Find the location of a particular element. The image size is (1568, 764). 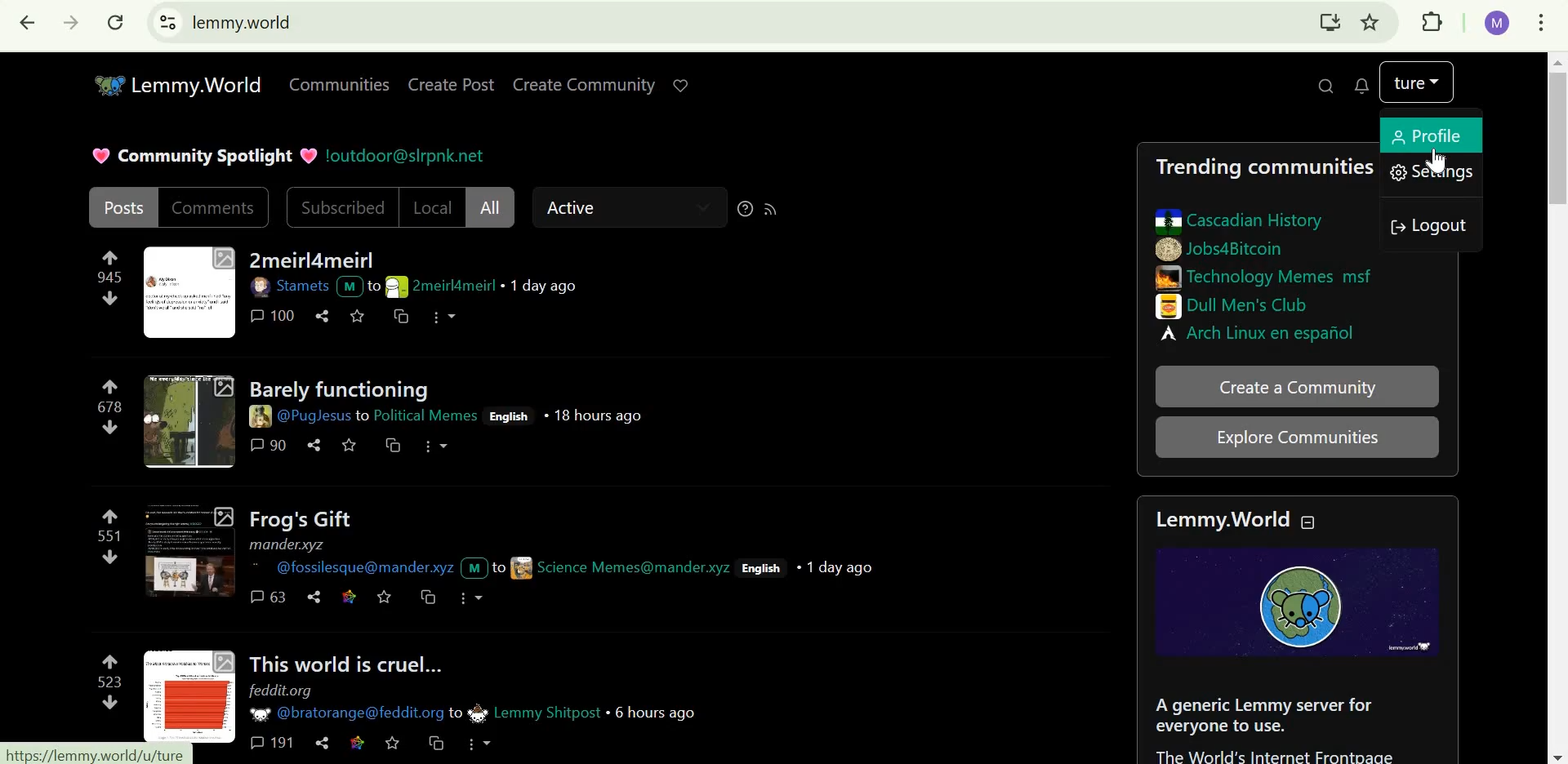

share is located at coordinates (313, 446).